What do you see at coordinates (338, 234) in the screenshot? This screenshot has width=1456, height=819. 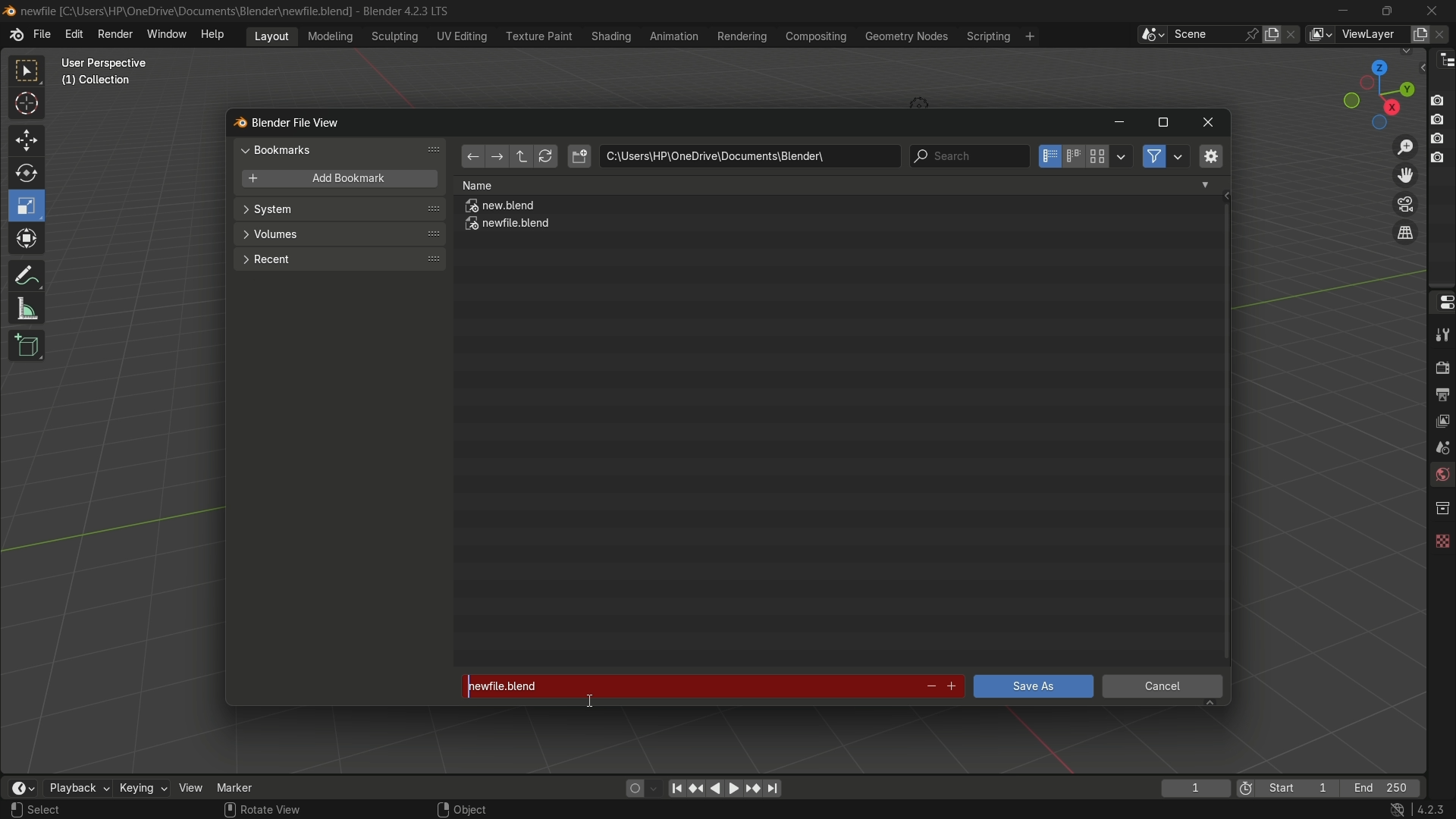 I see `volumes` at bounding box center [338, 234].